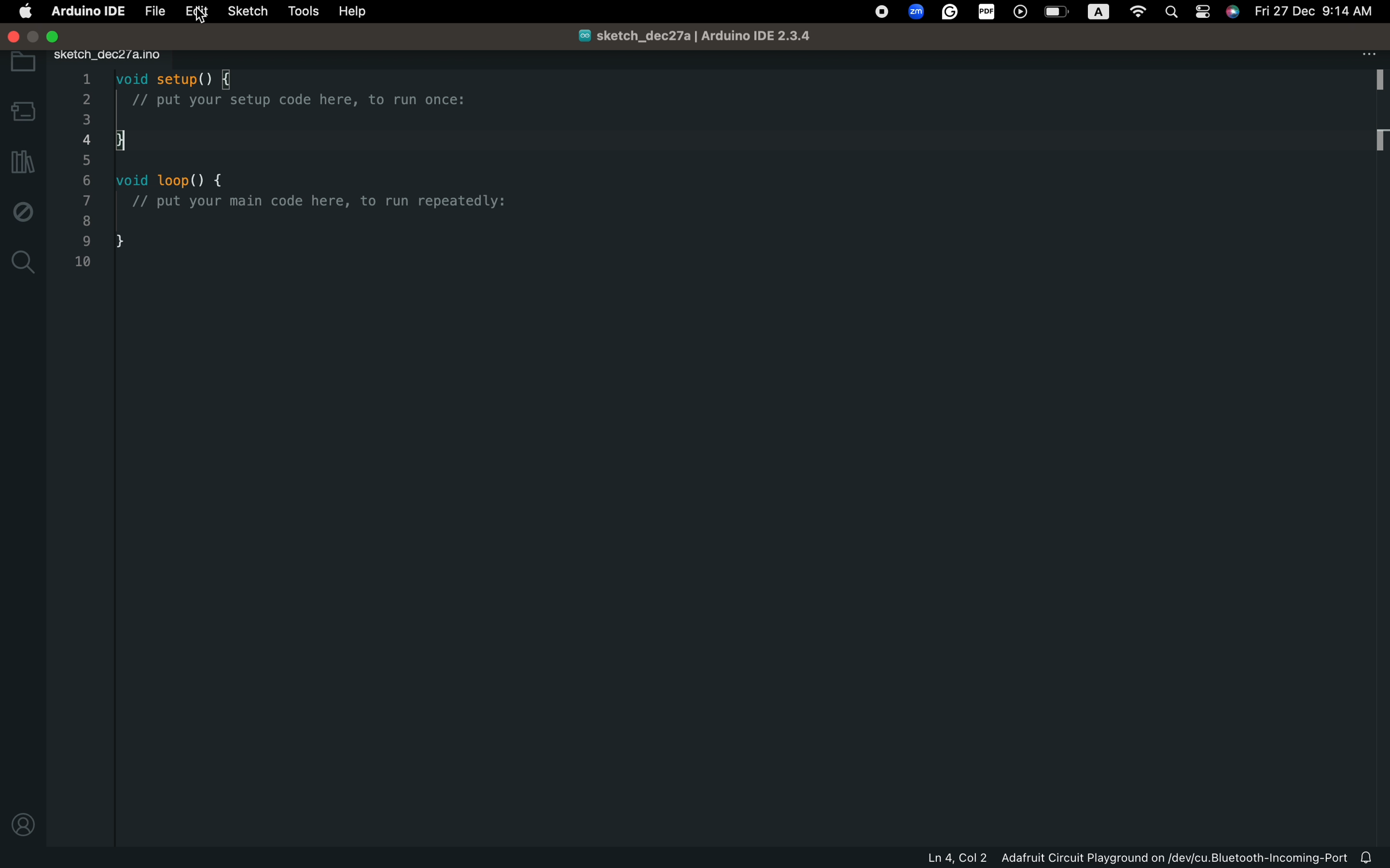  I want to click on Arduino IDE, so click(87, 13).